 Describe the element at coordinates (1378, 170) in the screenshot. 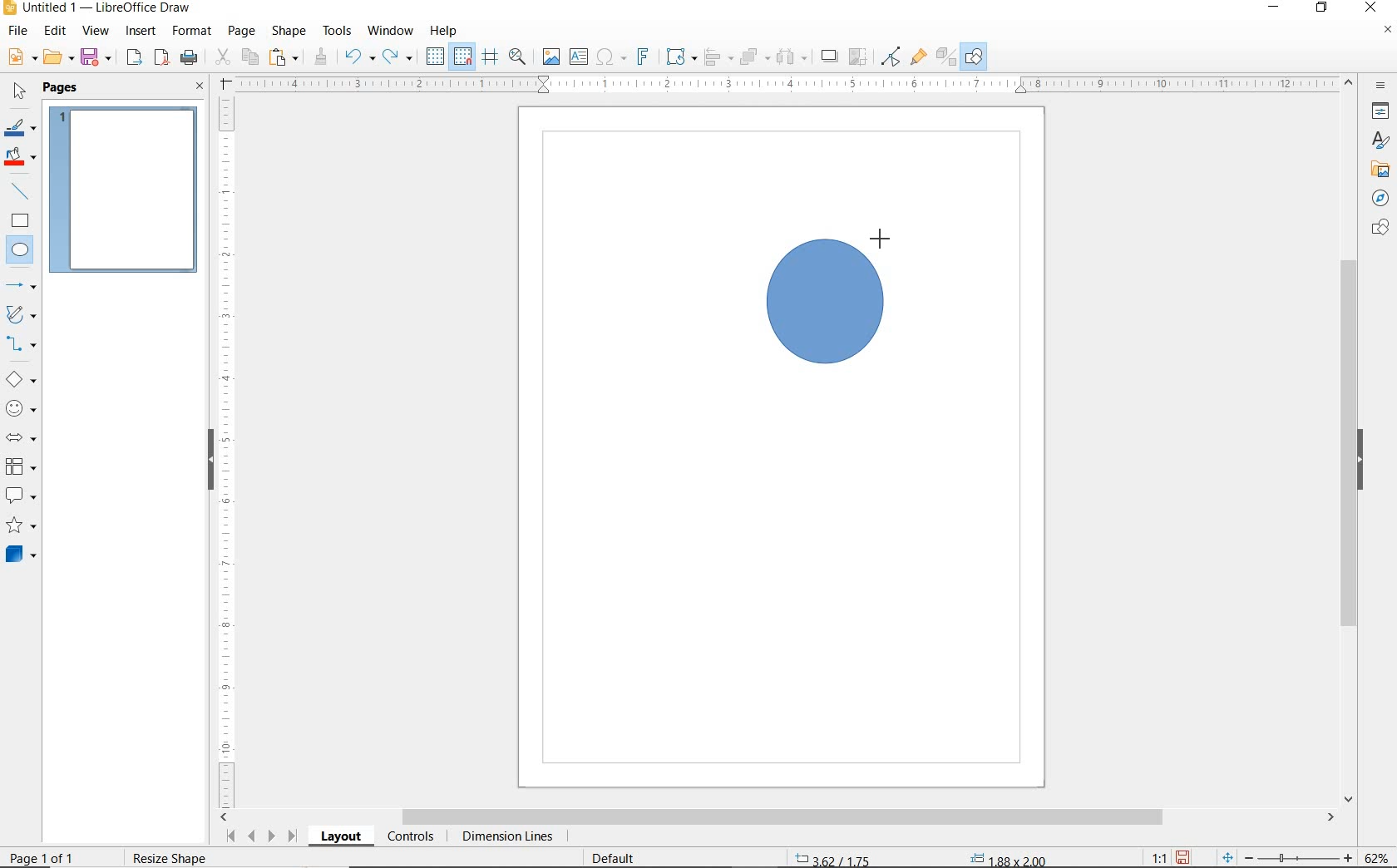

I see `GALLERY` at that location.